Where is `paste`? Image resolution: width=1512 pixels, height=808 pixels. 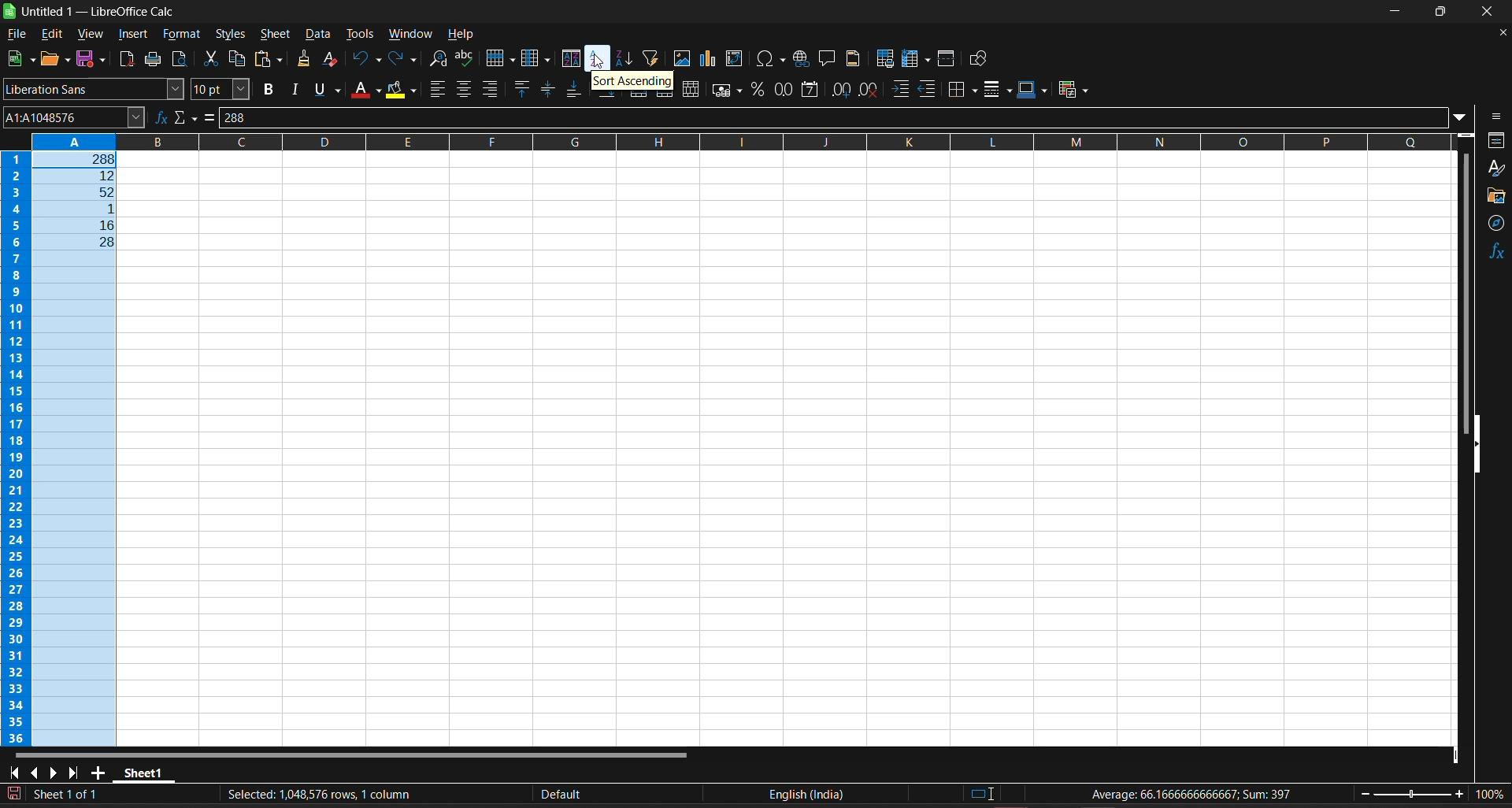
paste is located at coordinates (267, 60).